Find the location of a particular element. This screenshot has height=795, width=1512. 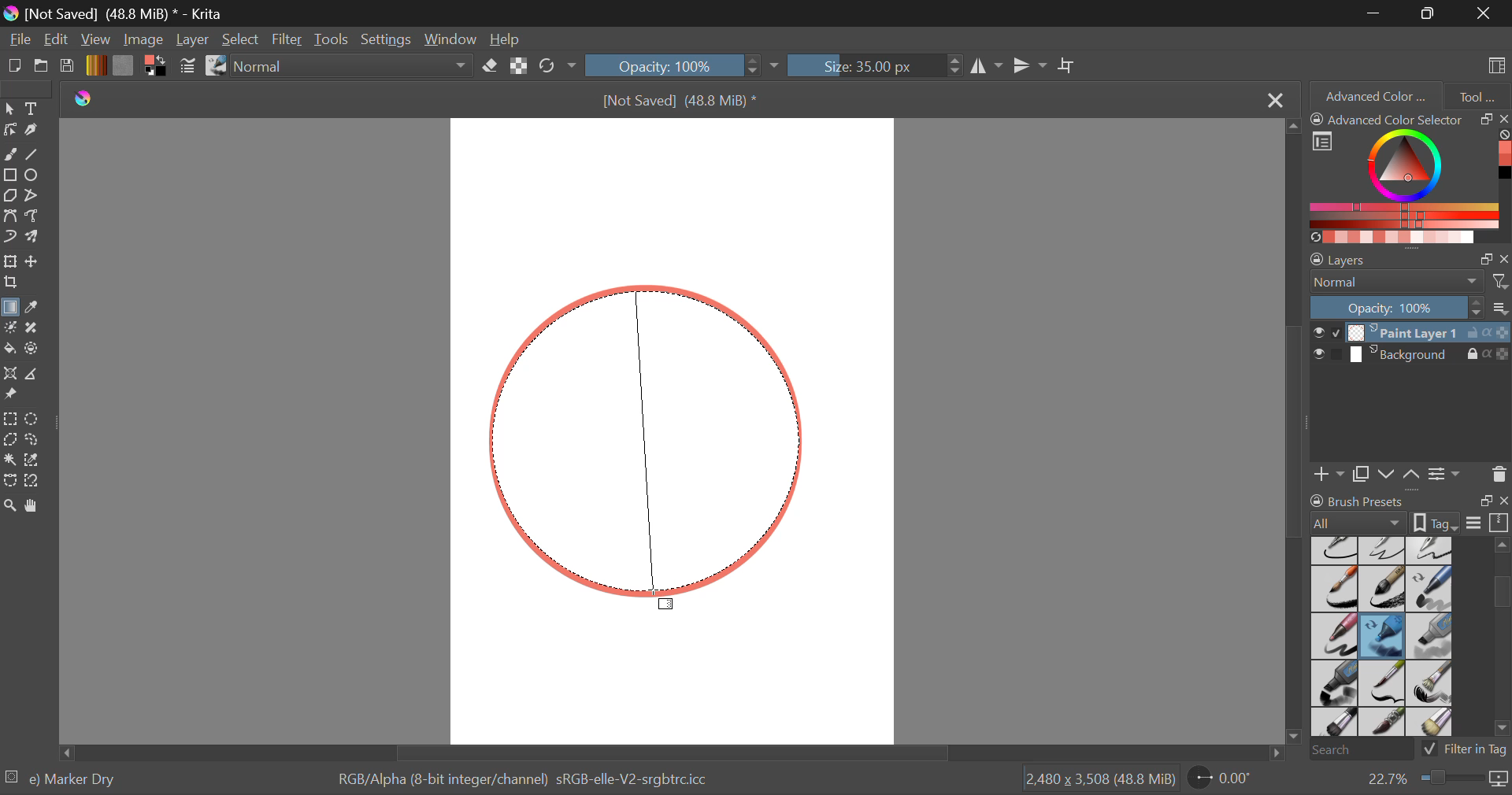

Horizontal Mirror Tool is located at coordinates (986, 65).